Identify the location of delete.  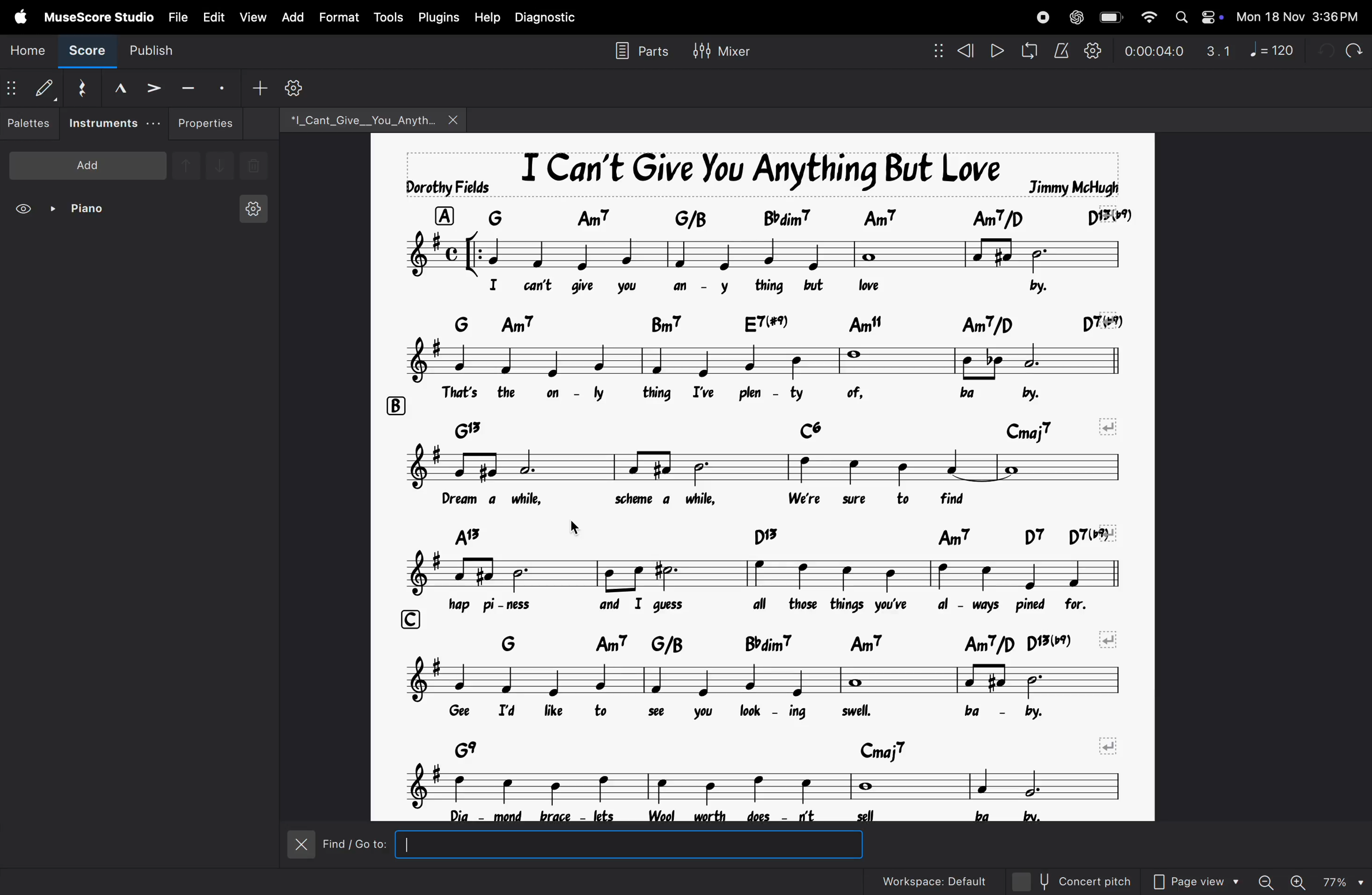
(257, 167).